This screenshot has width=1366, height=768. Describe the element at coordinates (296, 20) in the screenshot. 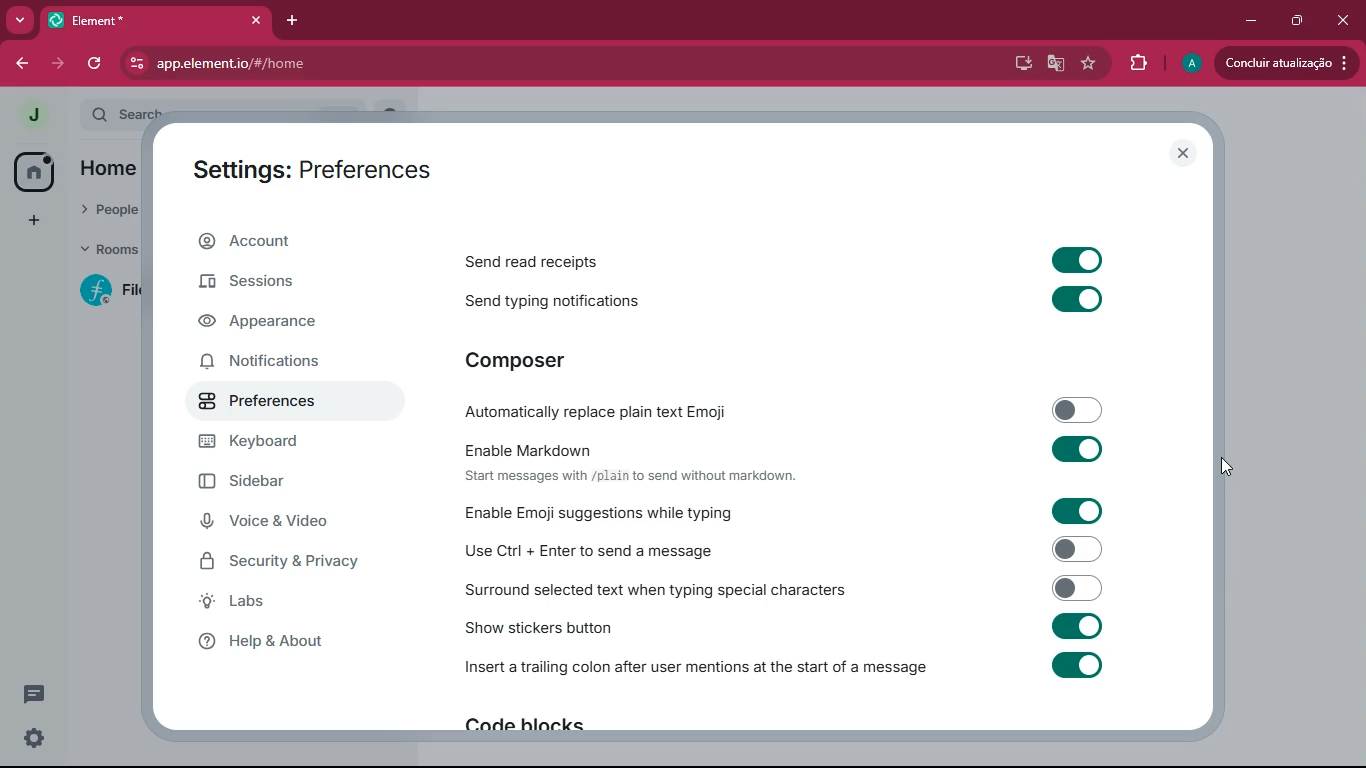

I see `add tab` at that location.